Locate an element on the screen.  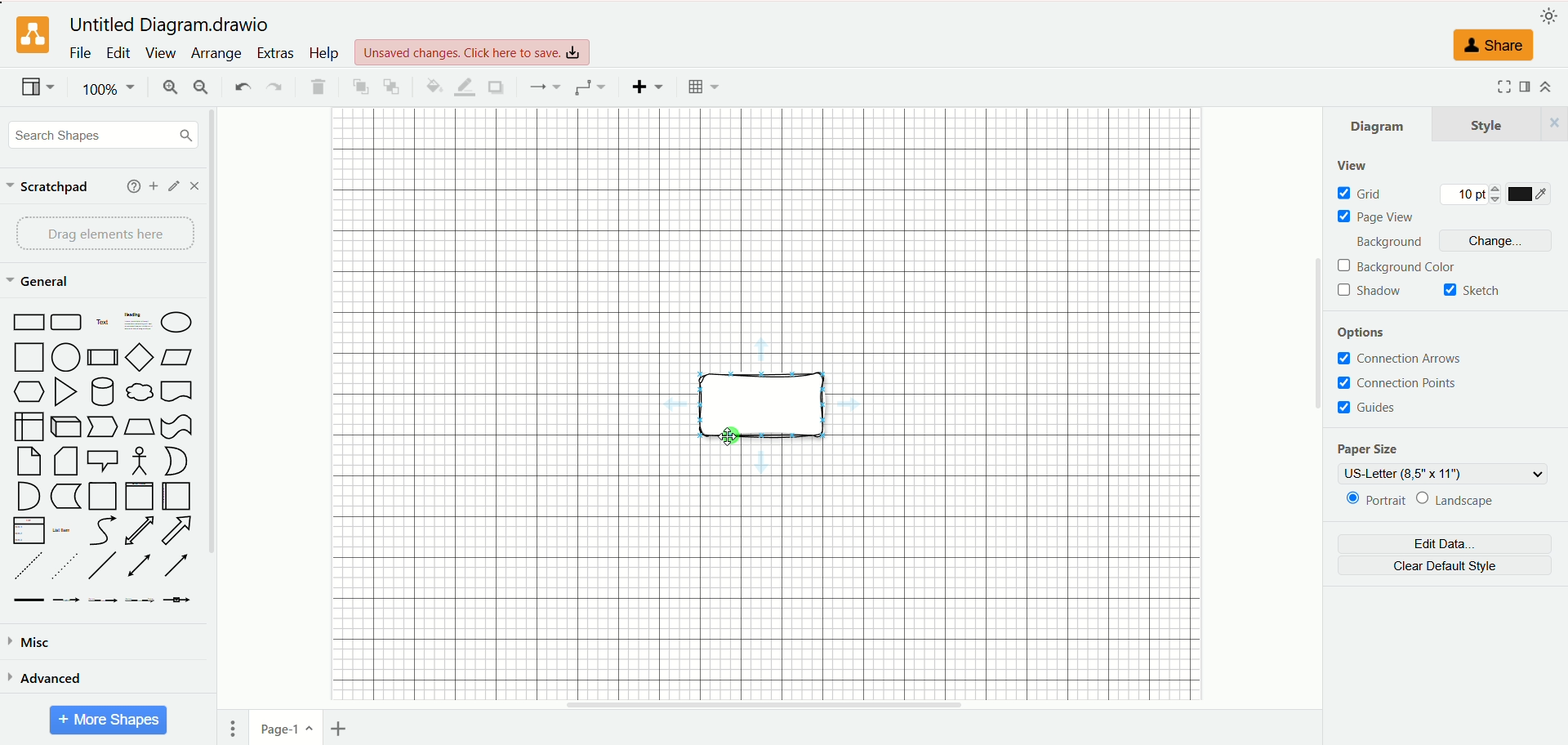
vertical scroll bar is located at coordinates (1316, 409).